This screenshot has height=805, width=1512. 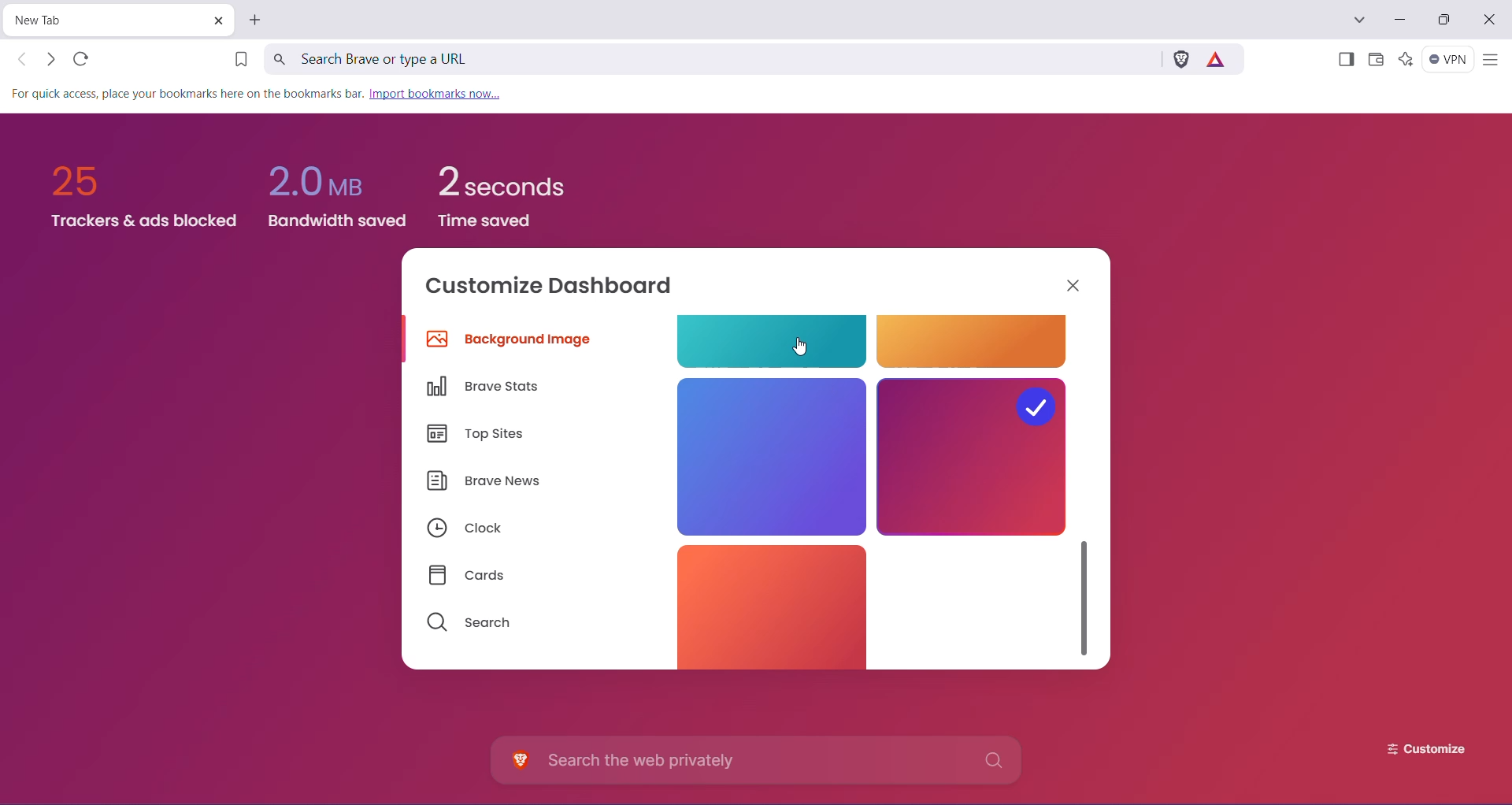 I want to click on color 2 #aa295f, so click(x=972, y=456).